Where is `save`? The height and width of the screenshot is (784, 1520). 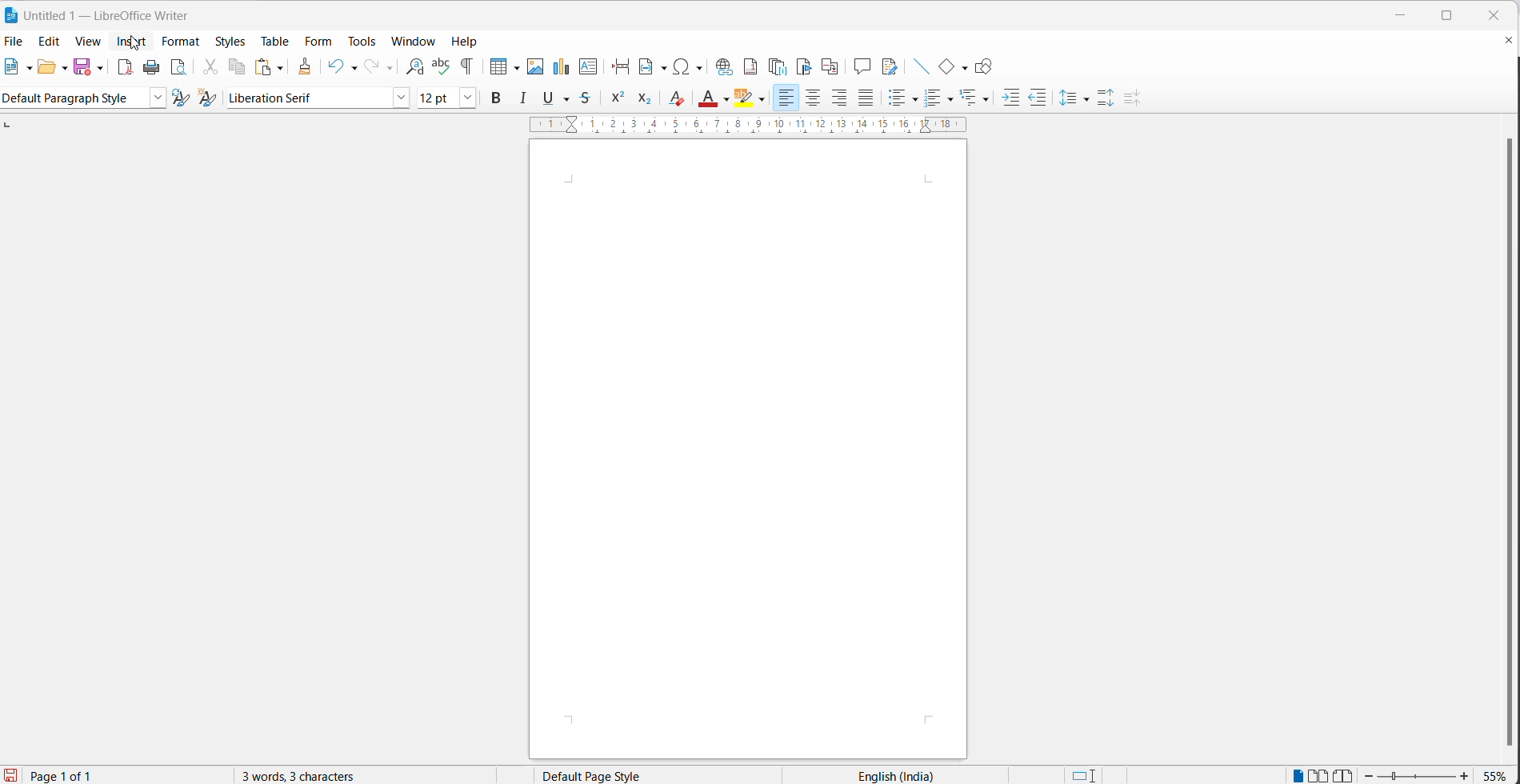 save is located at coordinates (10, 776).